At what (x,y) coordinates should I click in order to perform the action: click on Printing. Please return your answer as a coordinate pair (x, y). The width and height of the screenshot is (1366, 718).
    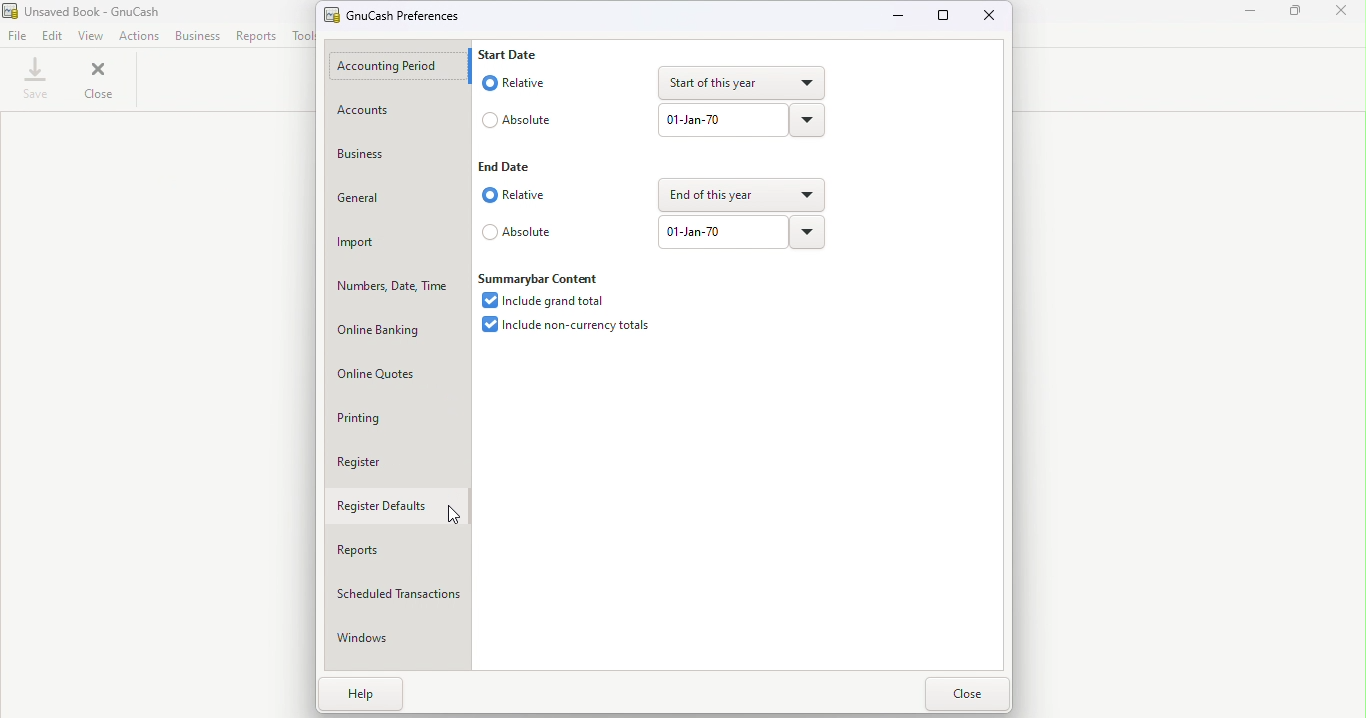
    Looking at the image, I should click on (387, 420).